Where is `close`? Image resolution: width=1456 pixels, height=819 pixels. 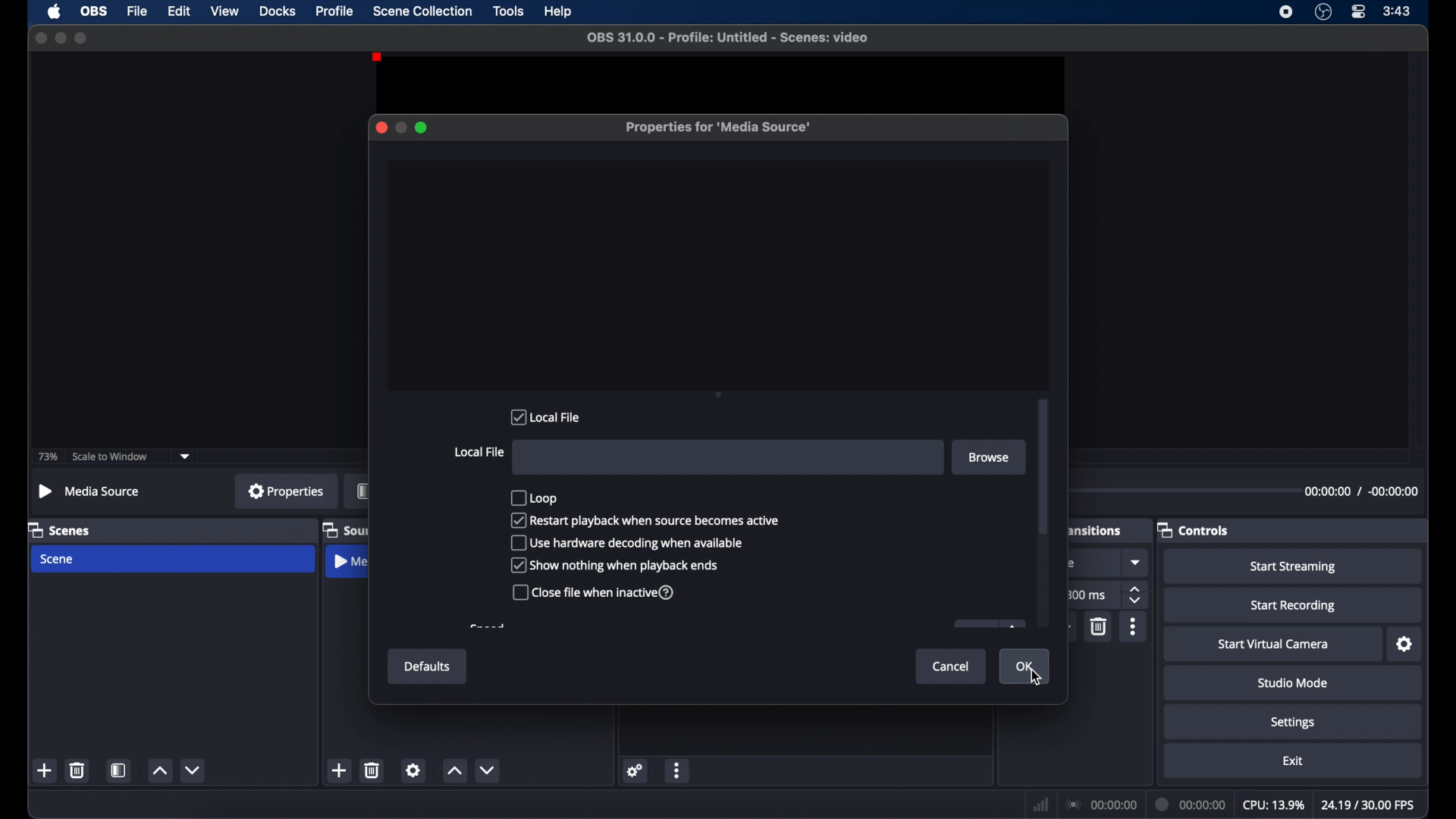 close is located at coordinates (381, 127).